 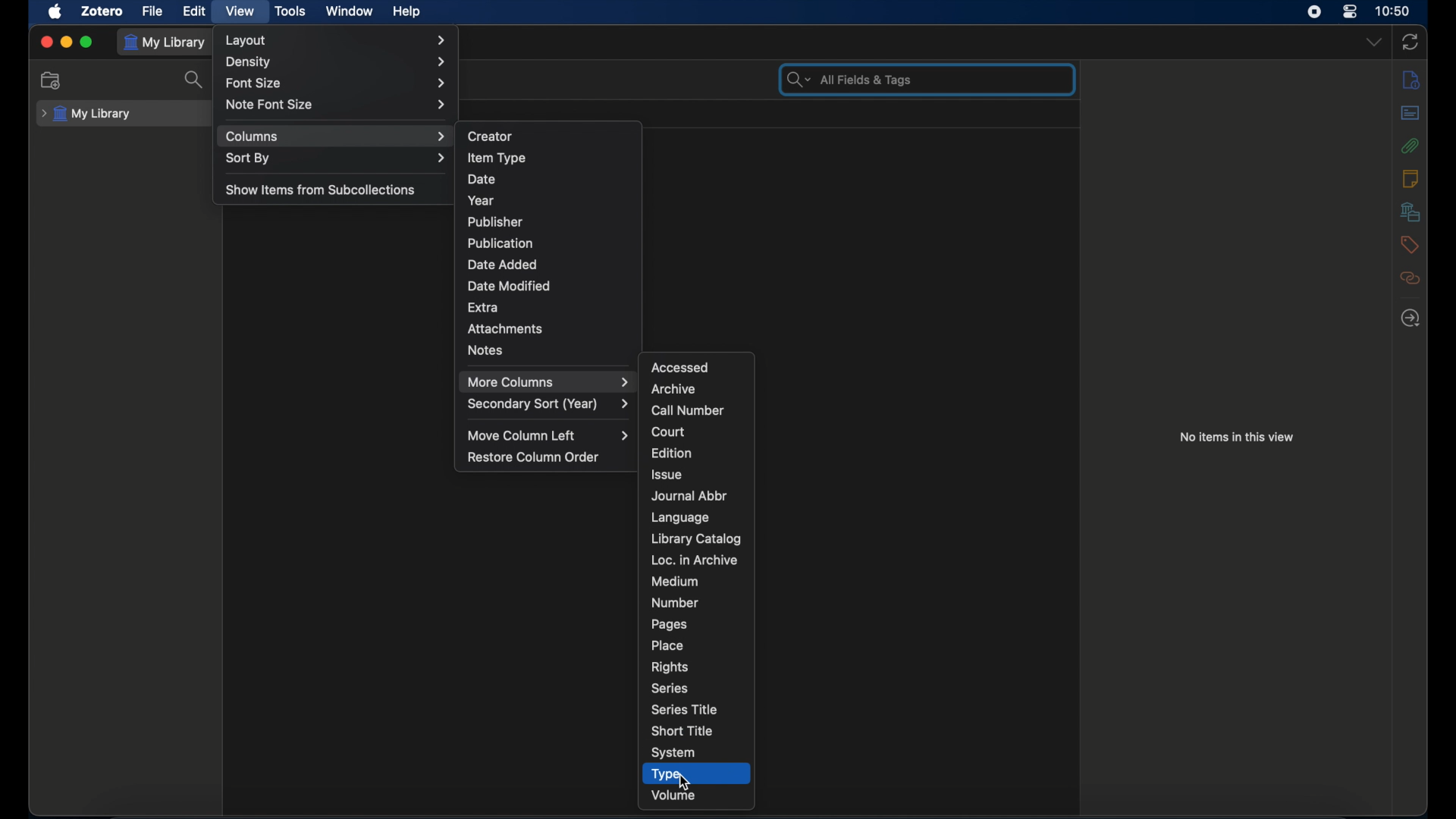 I want to click on accessed, so click(x=681, y=367).